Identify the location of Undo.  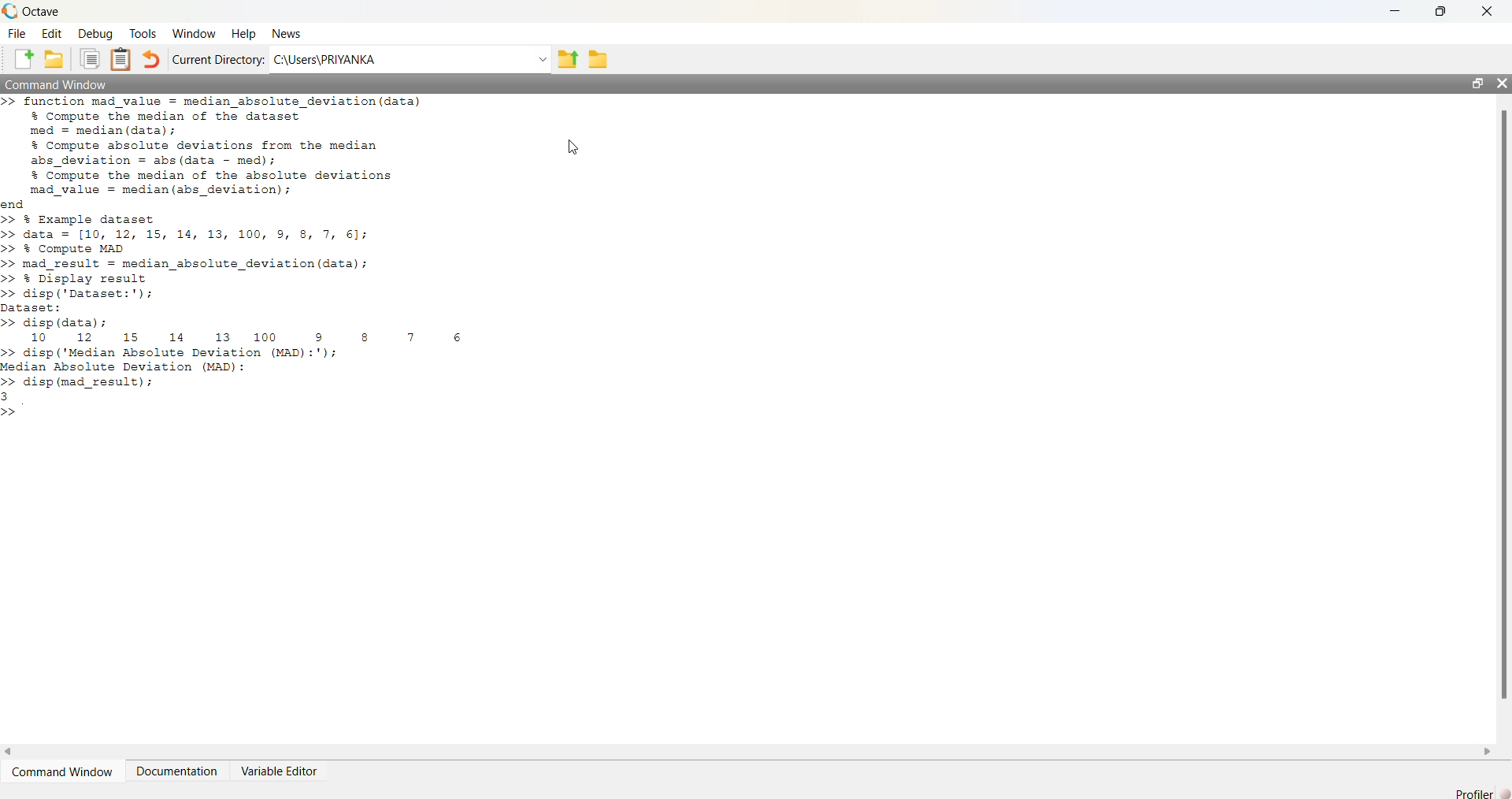
(150, 58).